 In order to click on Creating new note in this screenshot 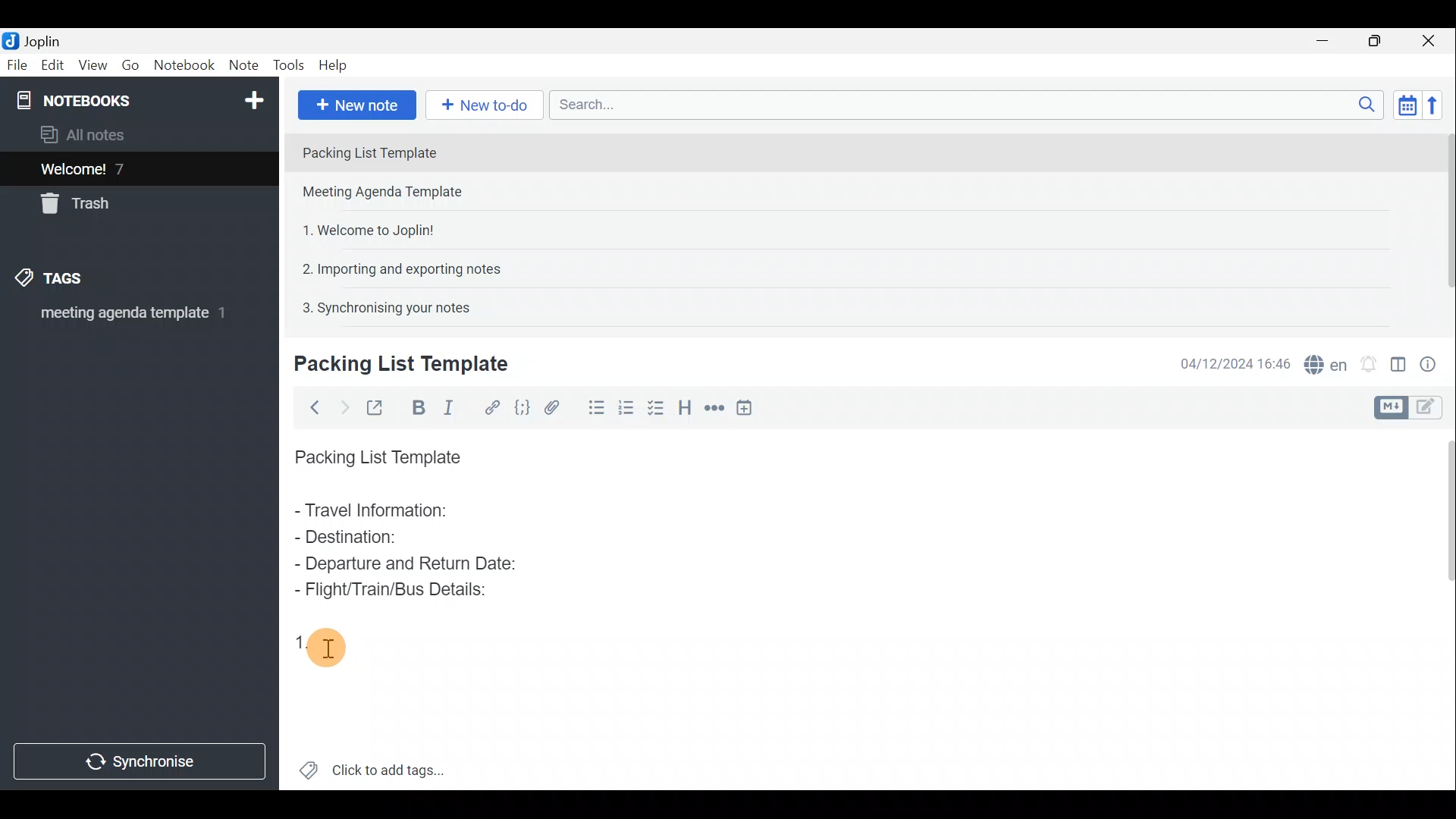, I will do `click(392, 365)`.